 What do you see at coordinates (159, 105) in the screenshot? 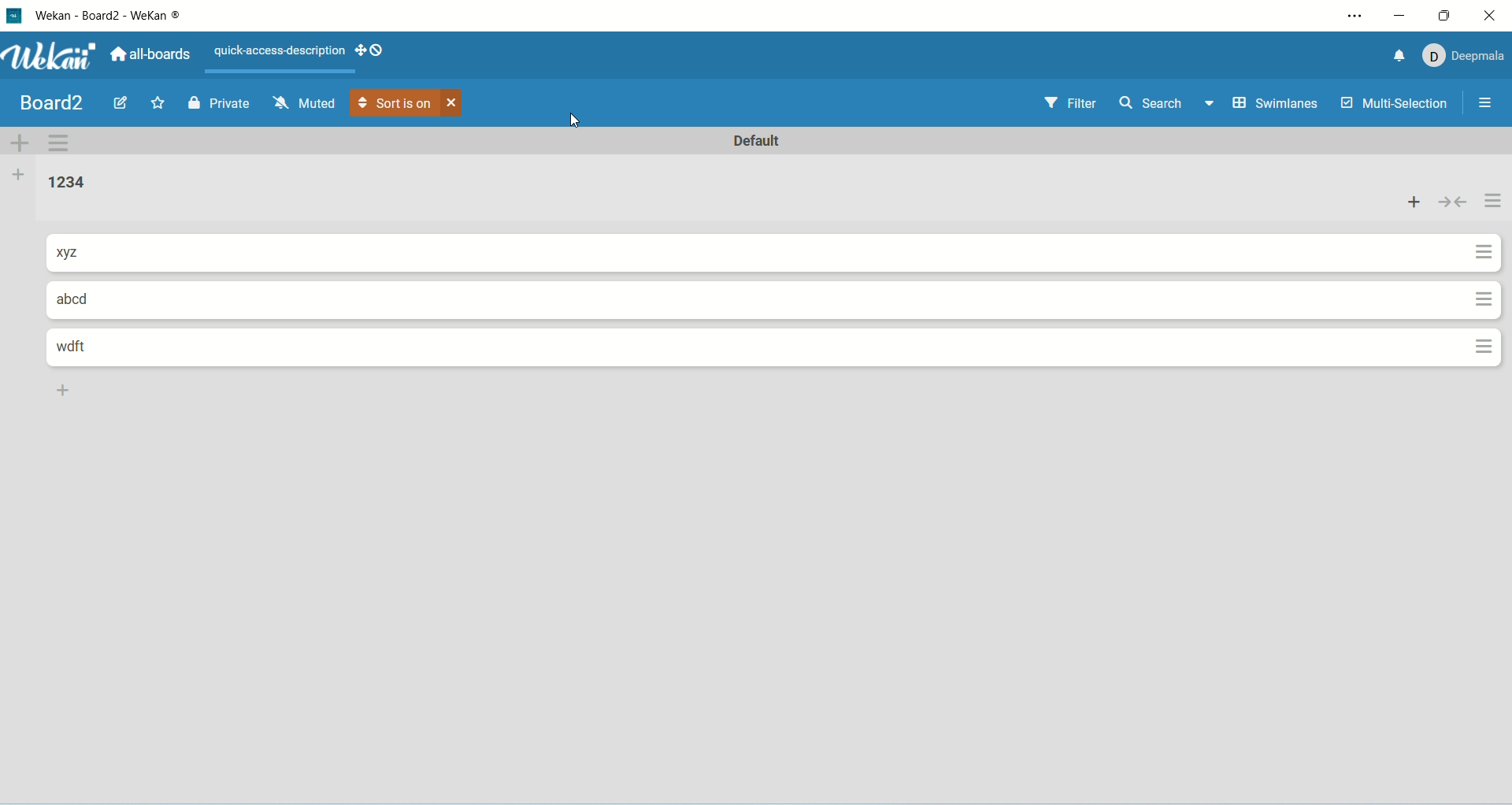
I see `favorite` at bounding box center [159, 105].